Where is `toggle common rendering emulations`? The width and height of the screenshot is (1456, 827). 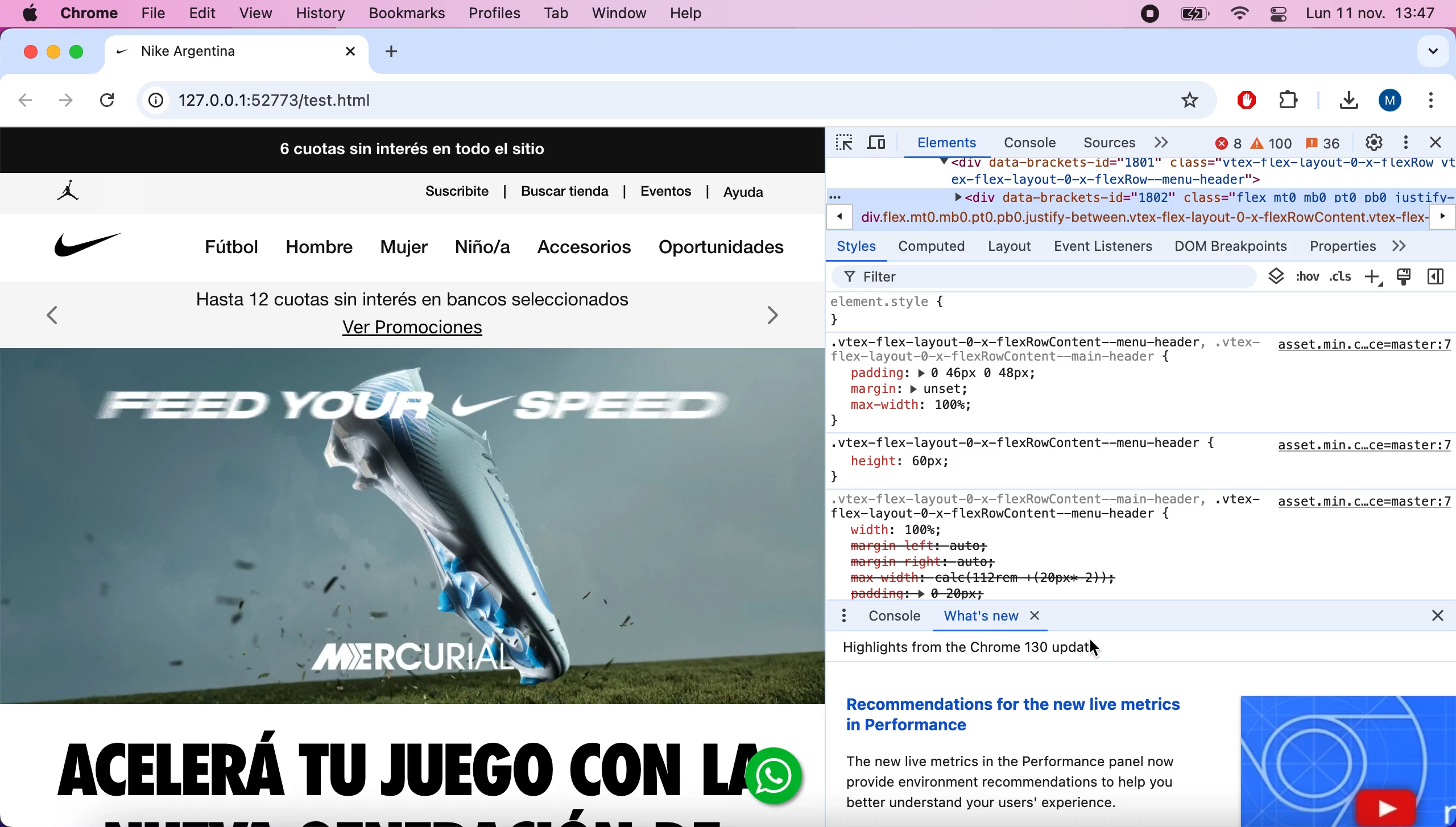
toggle common rendering emulations is located at coordinates (1405, 277).